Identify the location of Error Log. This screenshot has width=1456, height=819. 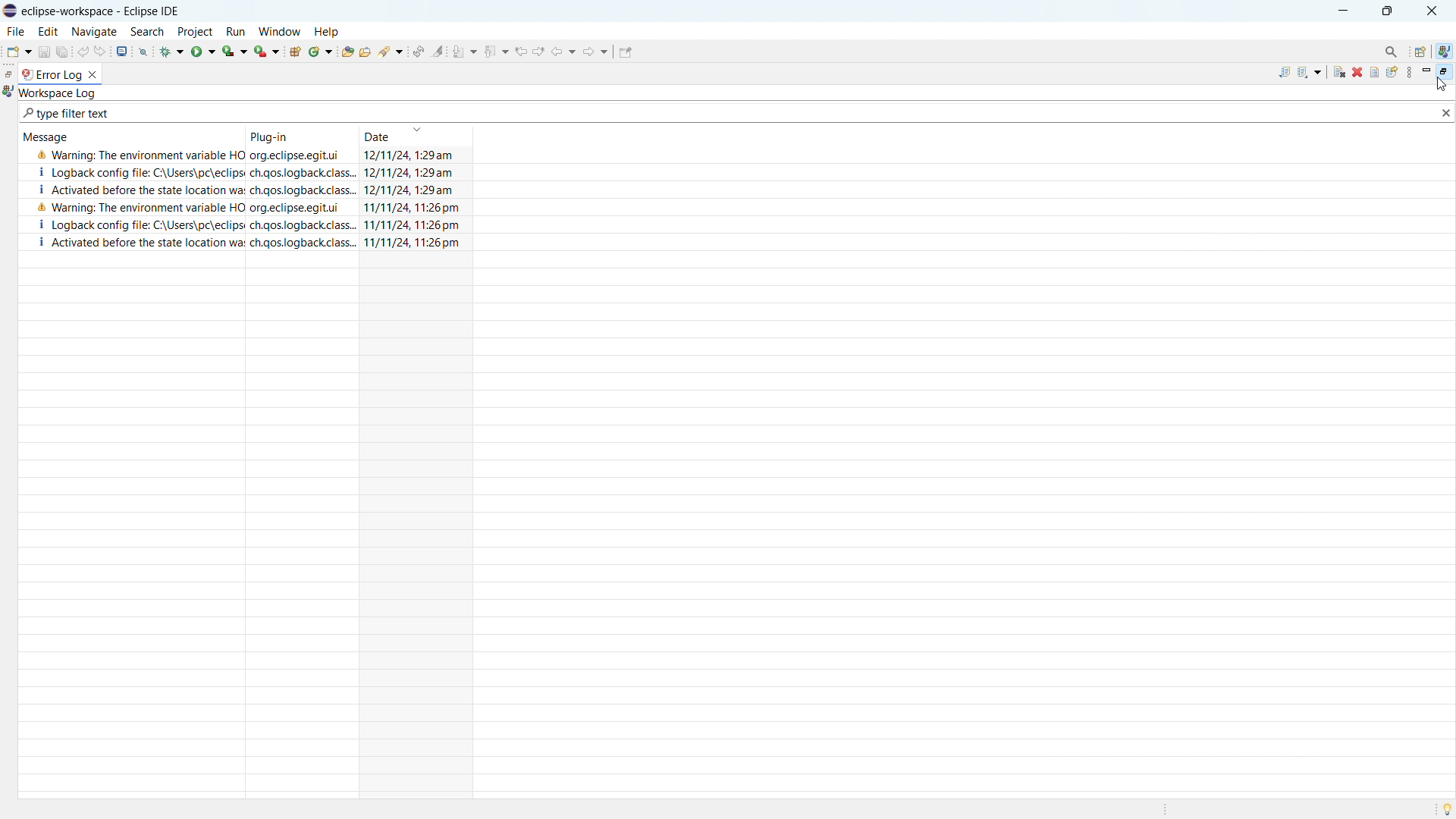
(58, 76).